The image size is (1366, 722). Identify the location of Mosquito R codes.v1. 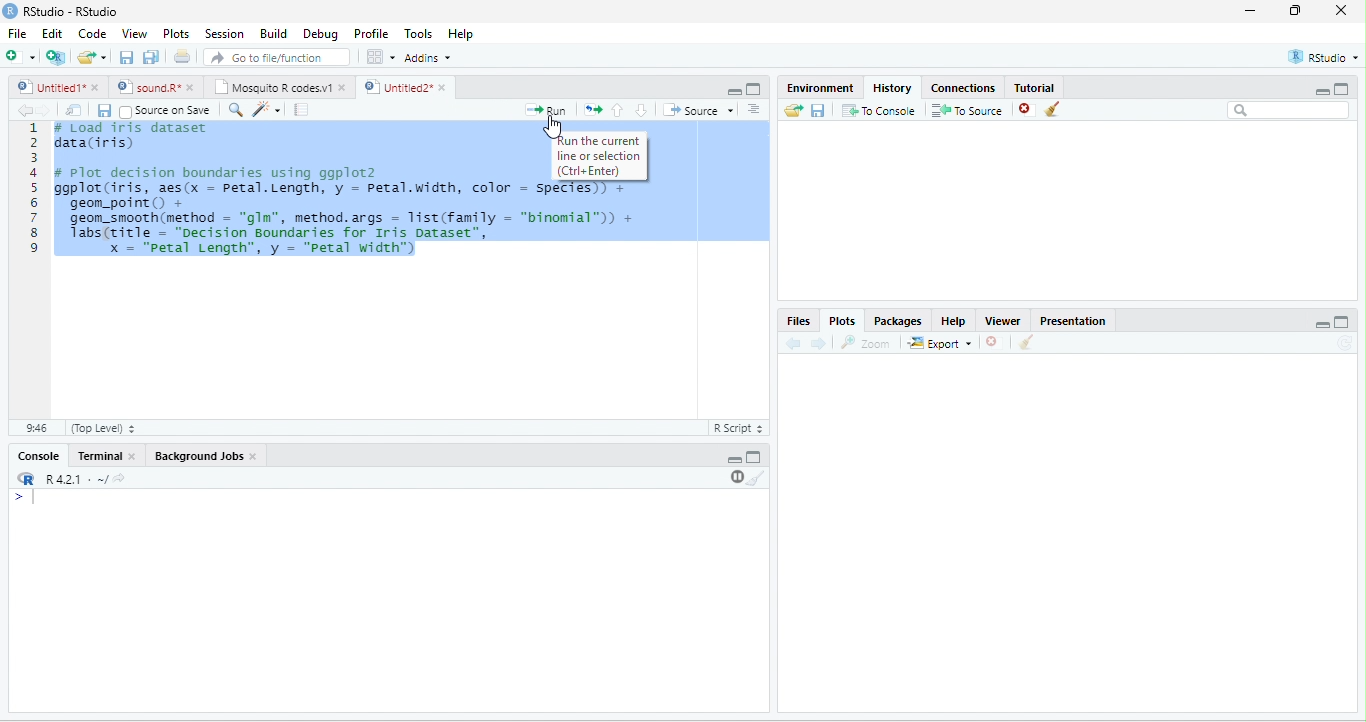
(271, 87).